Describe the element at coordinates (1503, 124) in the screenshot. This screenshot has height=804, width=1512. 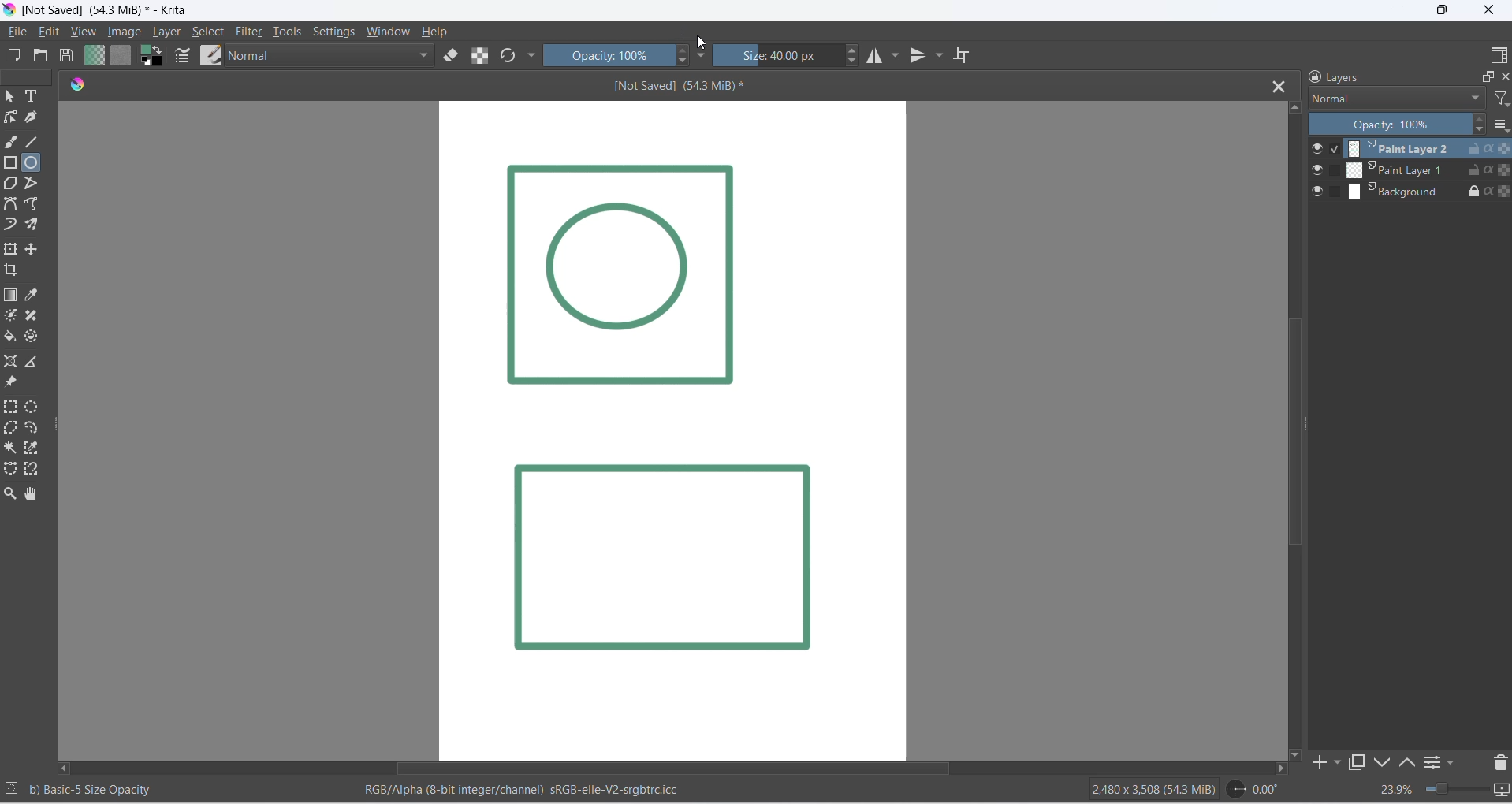
I see `options` at that location.